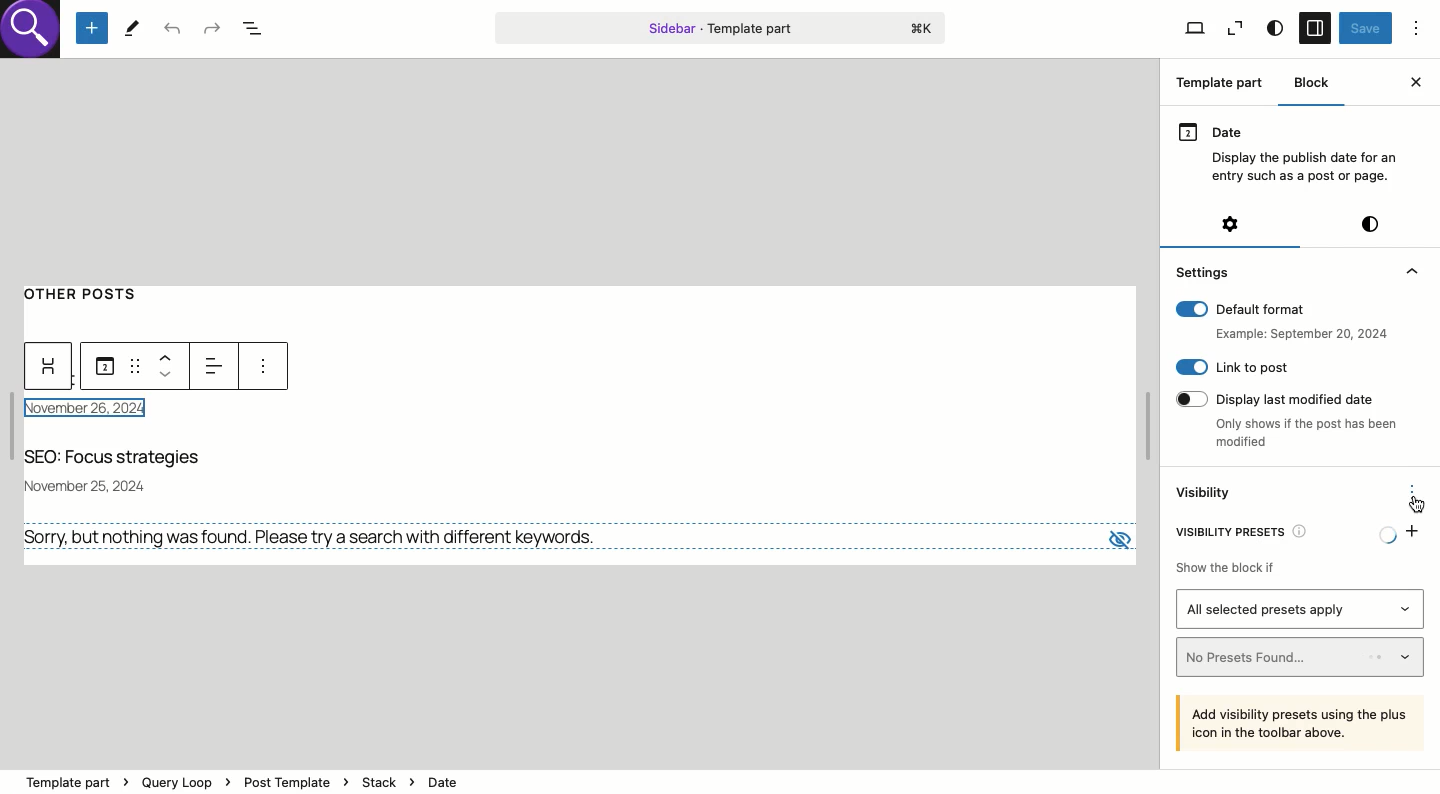 The height and width of the screenshot is (794, 1440). What do you see at coordinates (104, 367) in the screenshot?
I see `Date` at bounding box center [104, 367].